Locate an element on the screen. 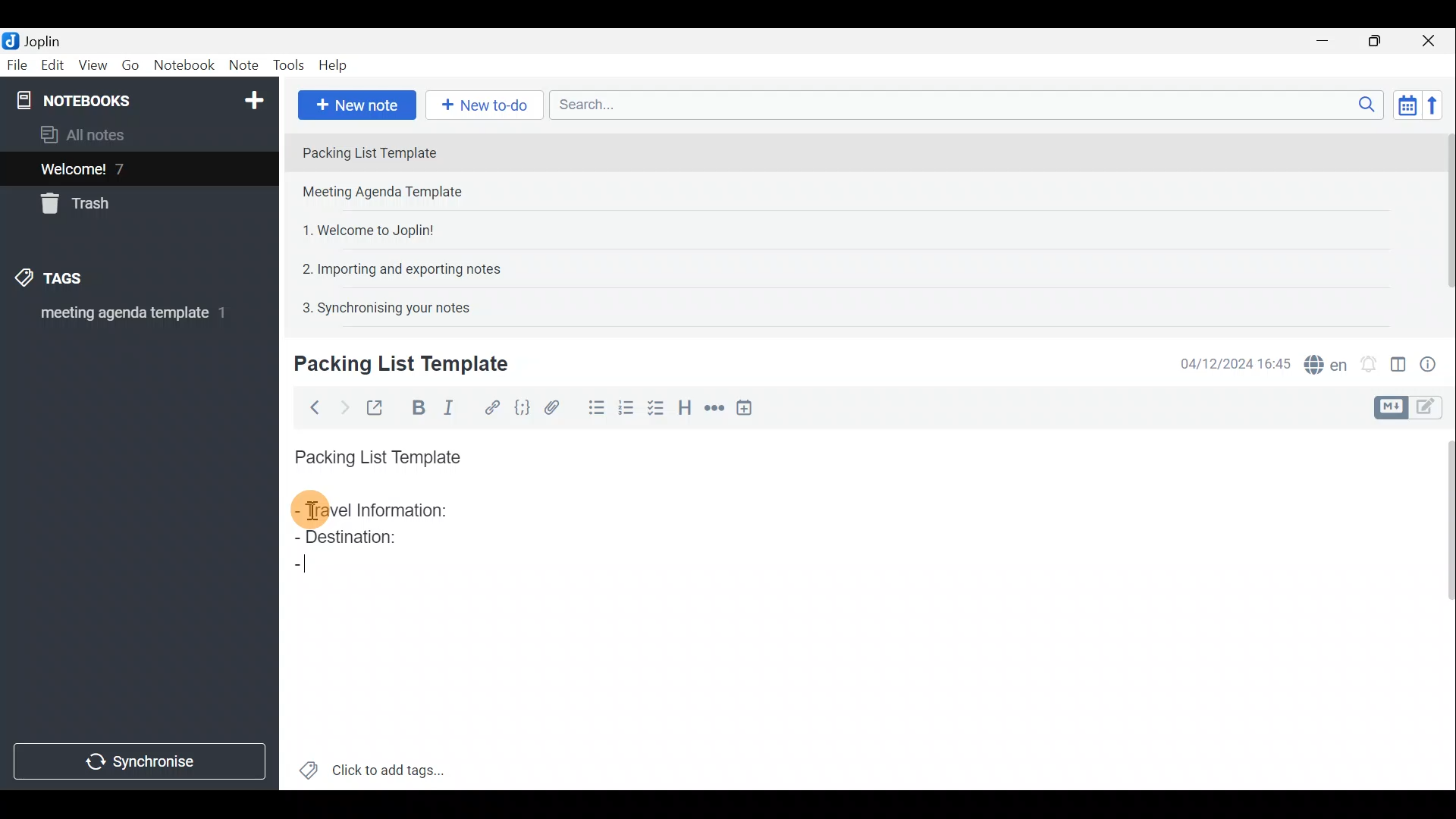 This screenshot has height=819, width=1456. Close is located at coordinates (1433, 40).